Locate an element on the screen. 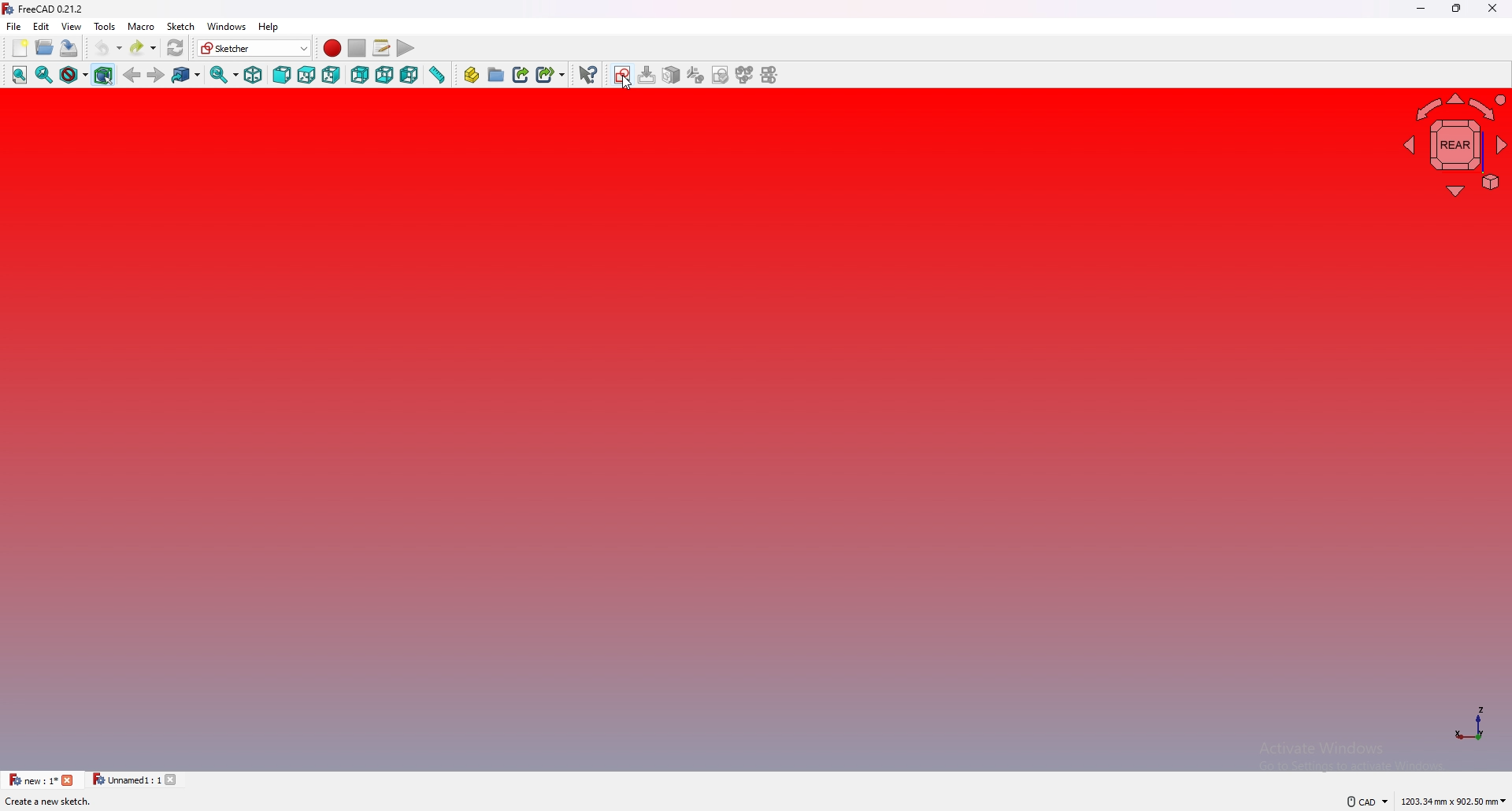 This screenshot has width=1512, height=811. macro is located at coordinates (140, 25).